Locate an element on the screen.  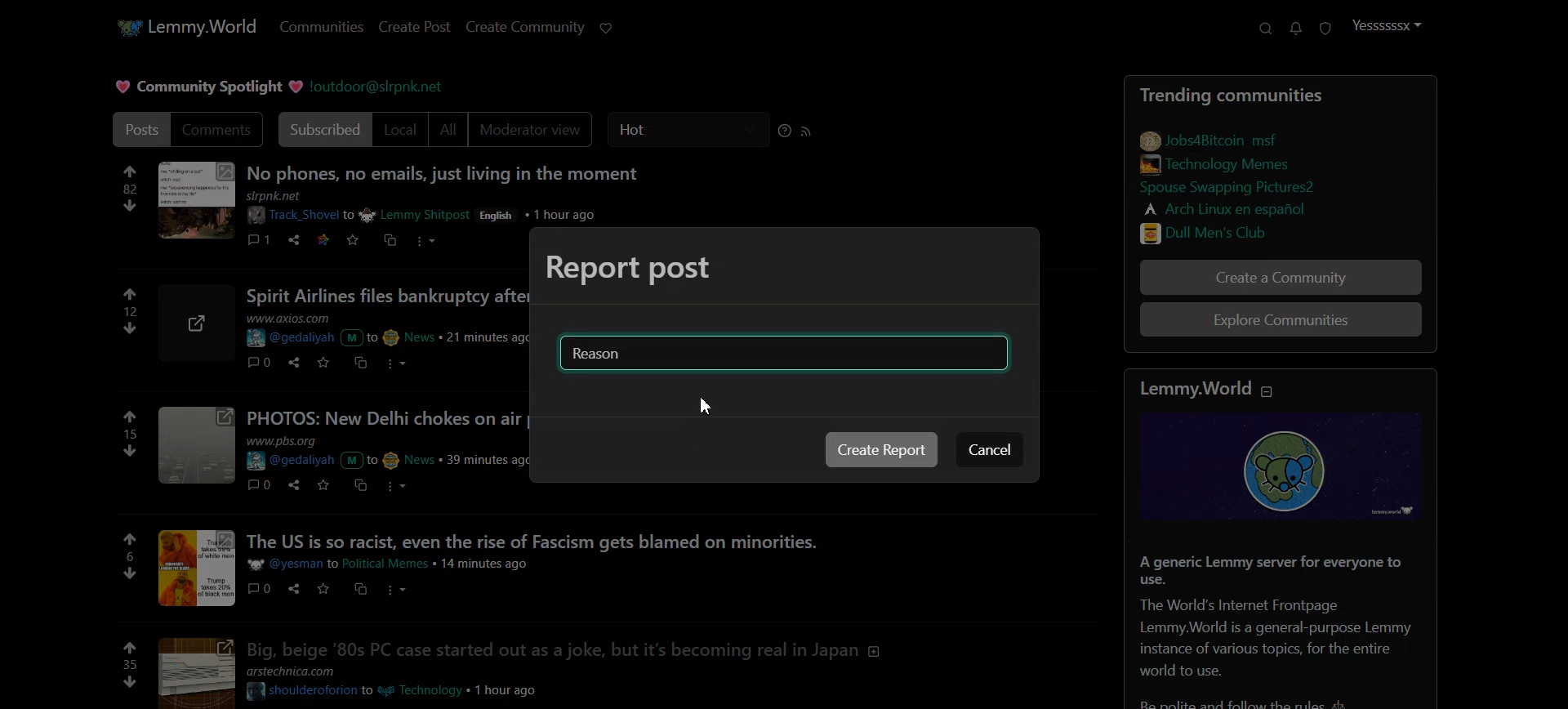
comments is located at coordinates (261, 588).